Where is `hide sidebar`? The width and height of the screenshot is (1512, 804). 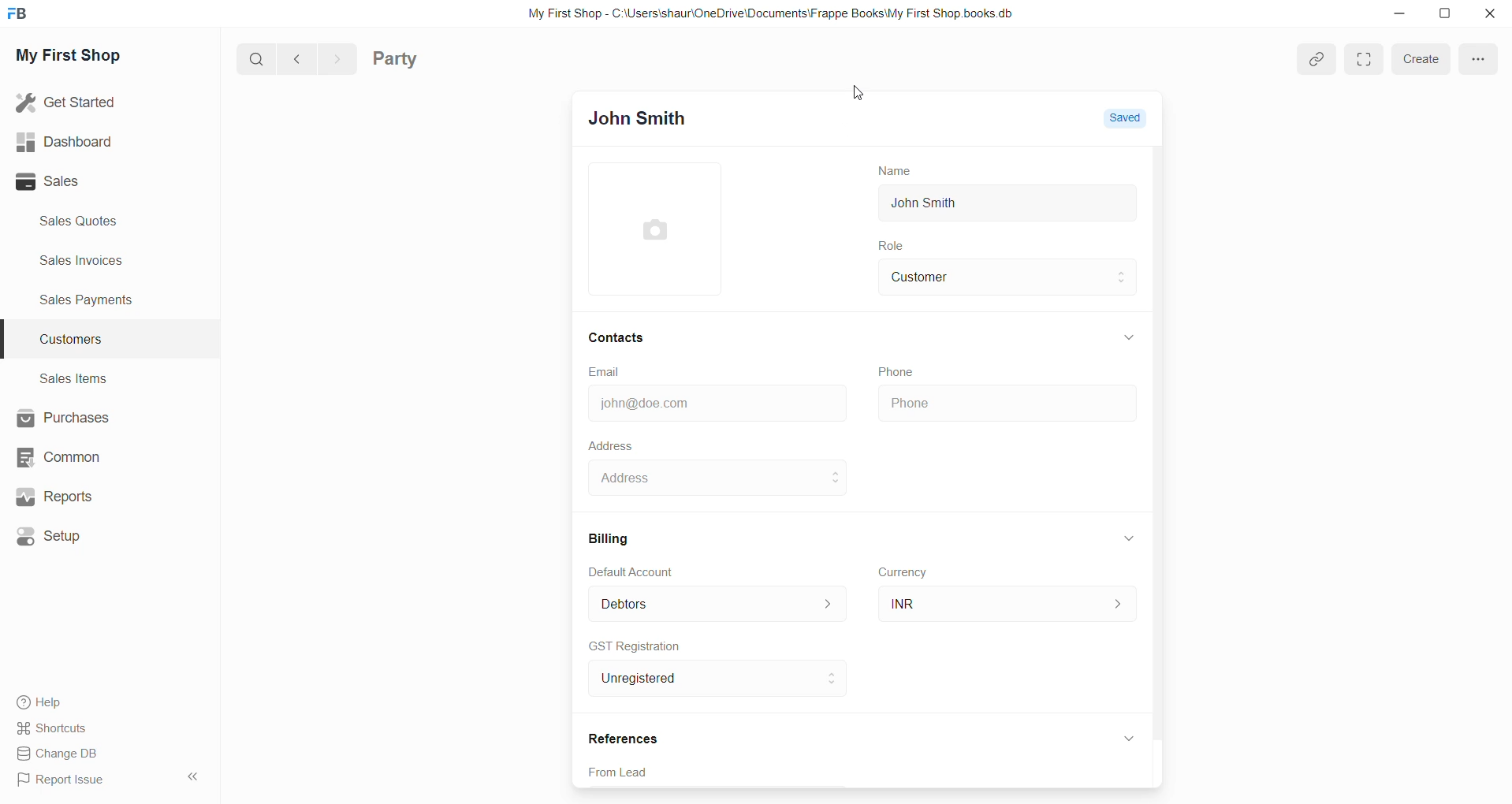
hide sidebar is located at coordinates (188, 778).